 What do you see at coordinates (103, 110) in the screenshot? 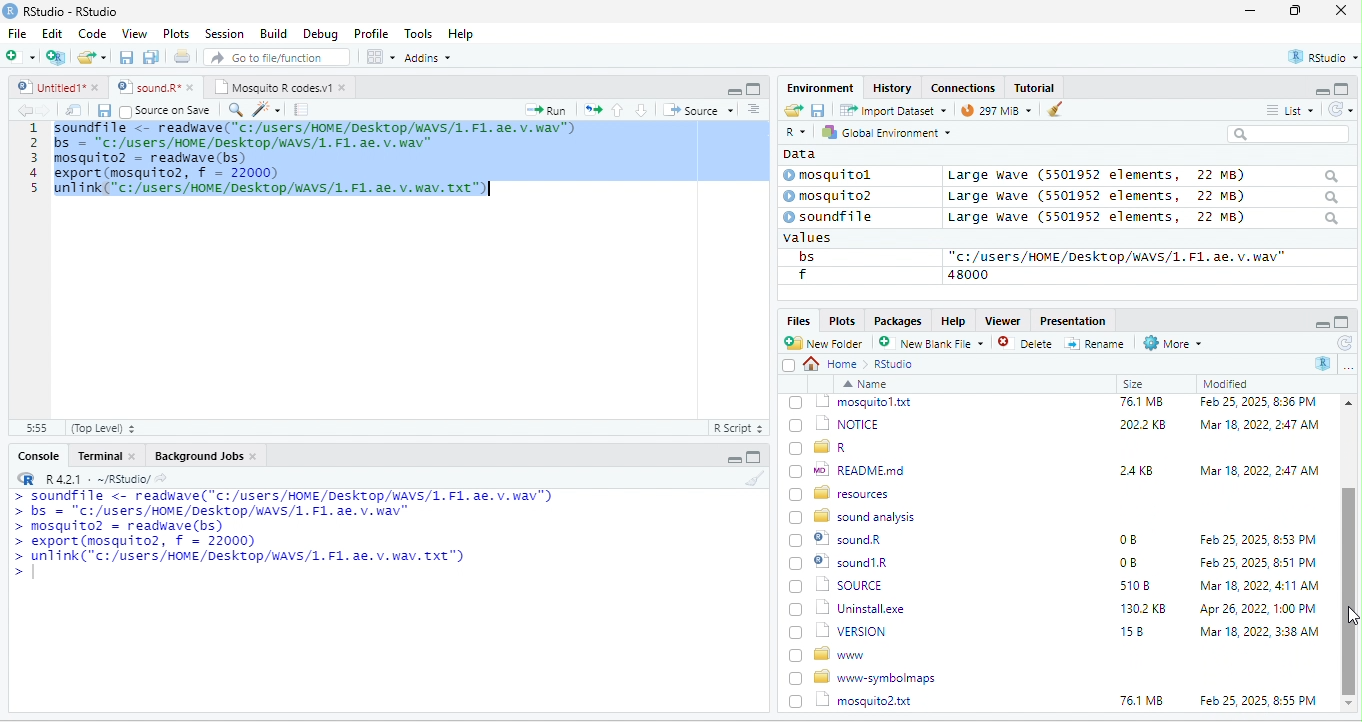
I see `save` at bounding box center [103, 110].